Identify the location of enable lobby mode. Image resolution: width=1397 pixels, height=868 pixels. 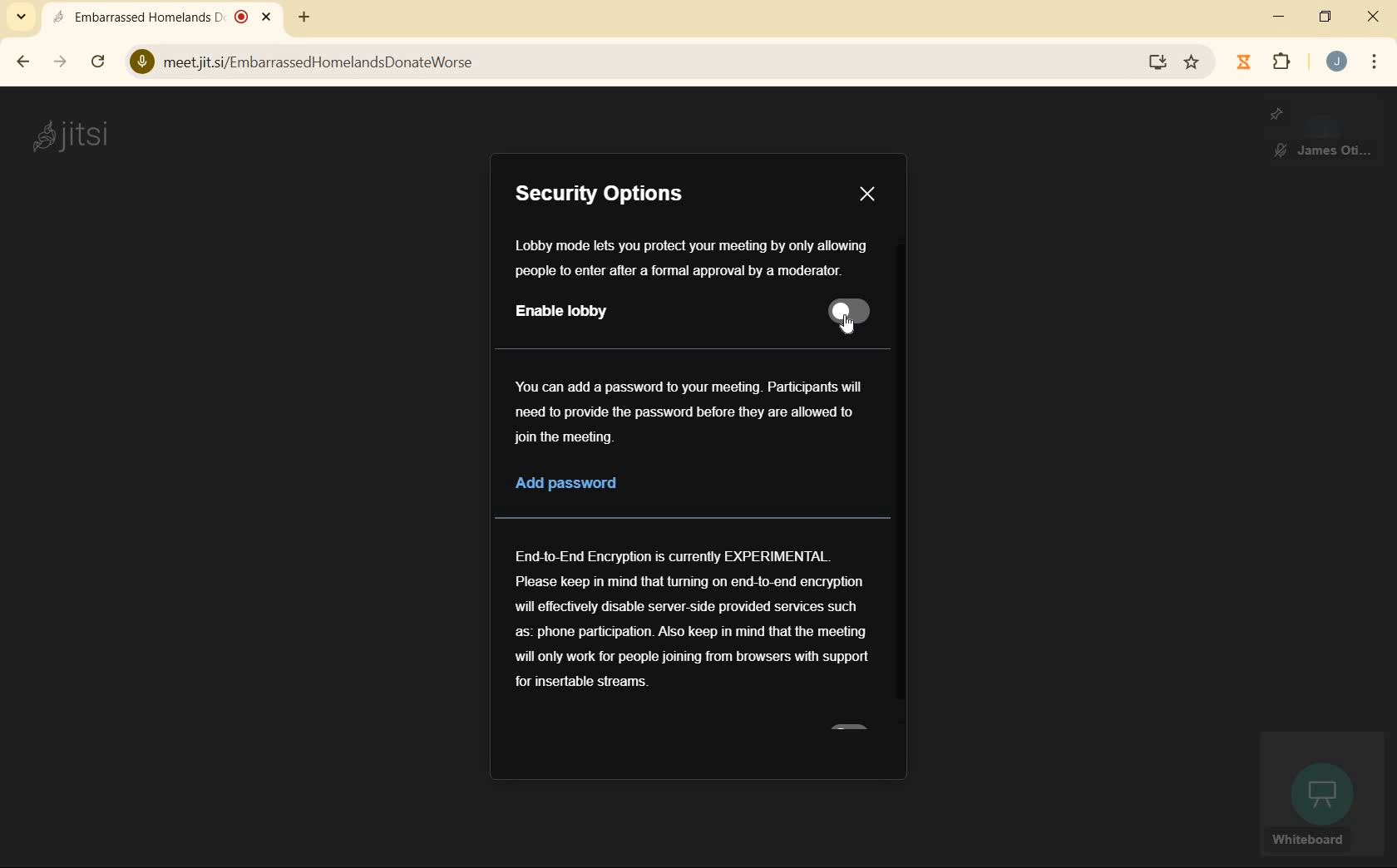
(637, 315).